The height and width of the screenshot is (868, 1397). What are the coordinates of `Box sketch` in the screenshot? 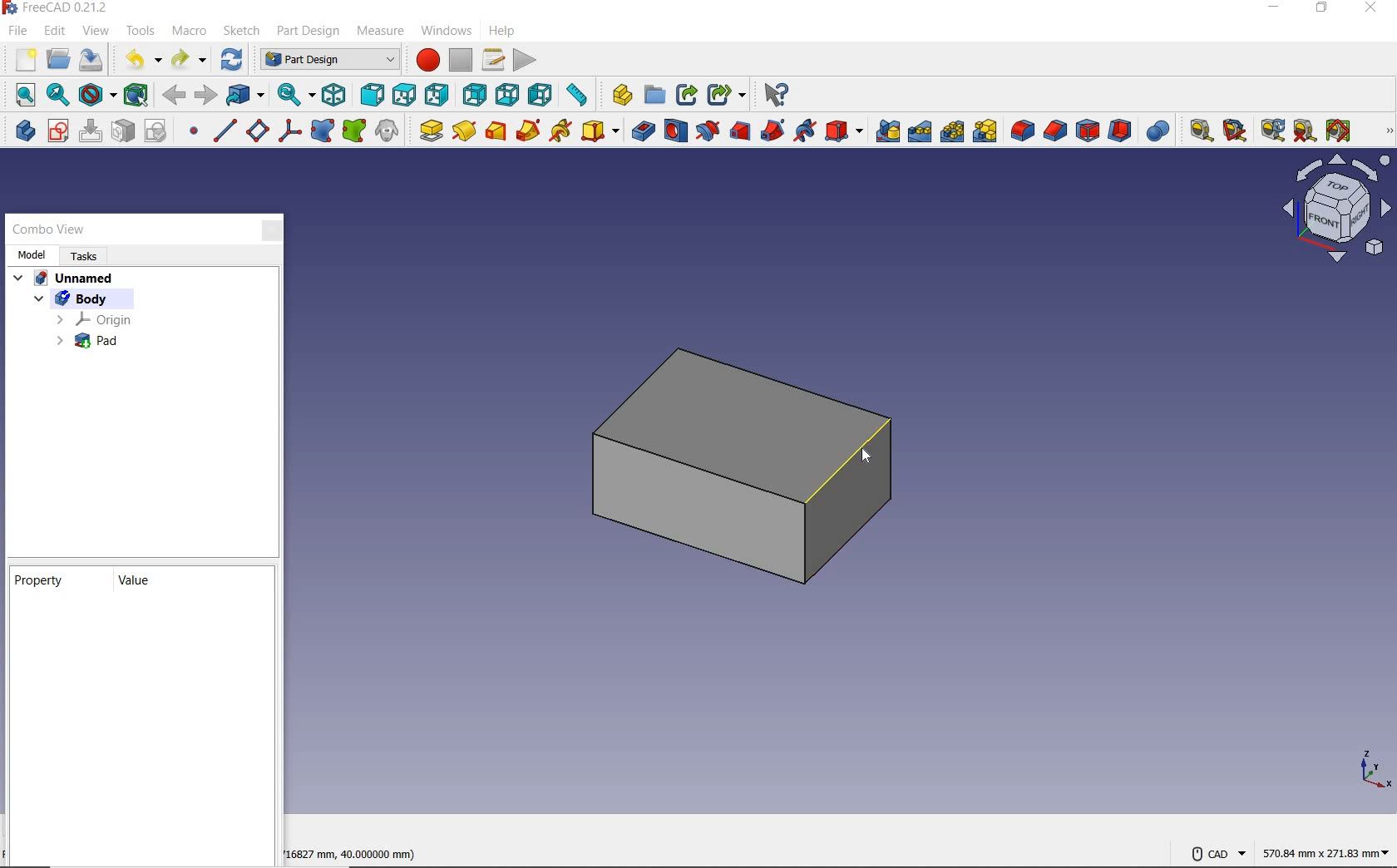 It's located at (745, 462).